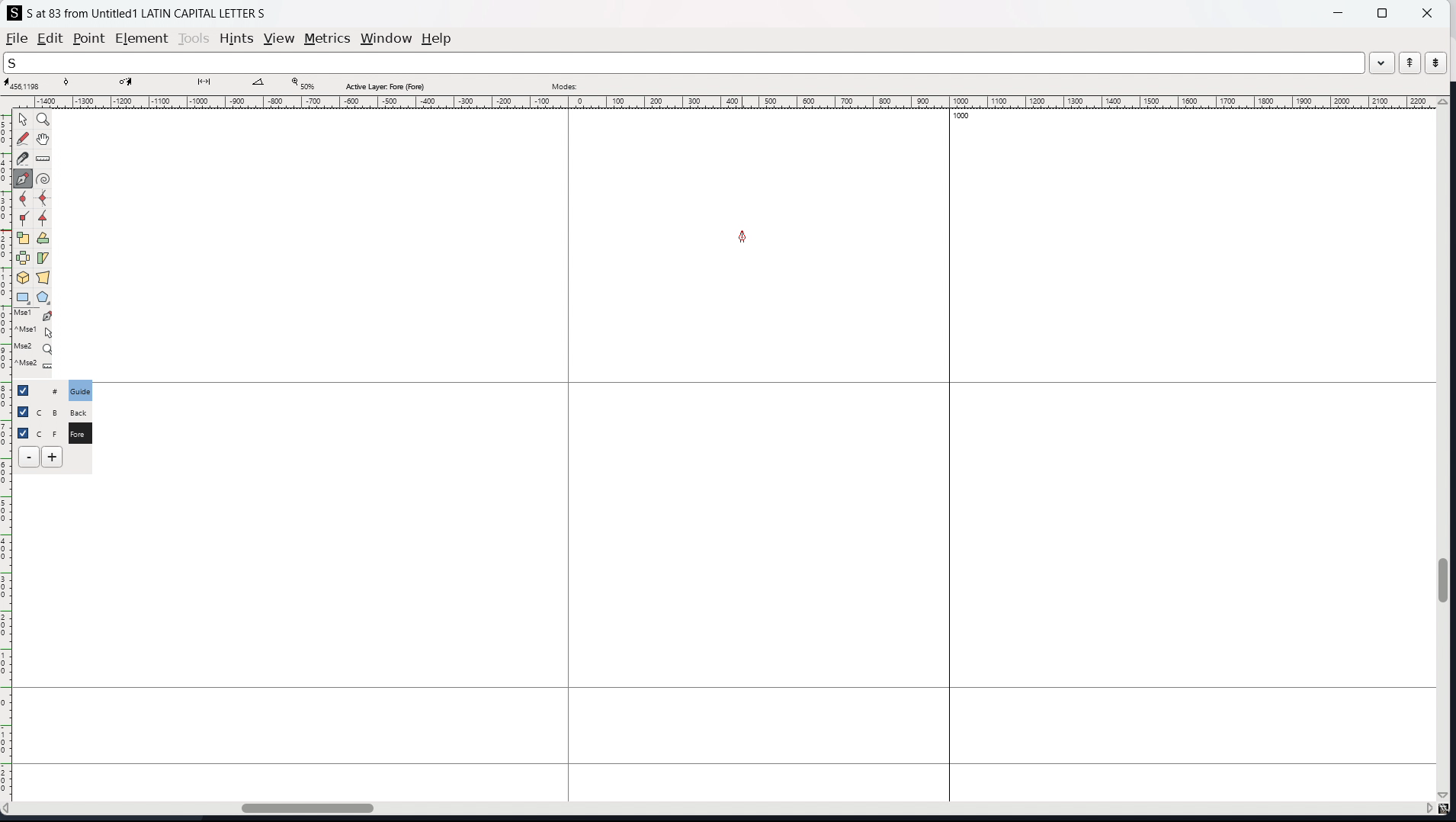 This screenshot has width=1456, height=822. Describe the element at coordinates (384, 86) in the screenshot. I see `active layer` at that location.